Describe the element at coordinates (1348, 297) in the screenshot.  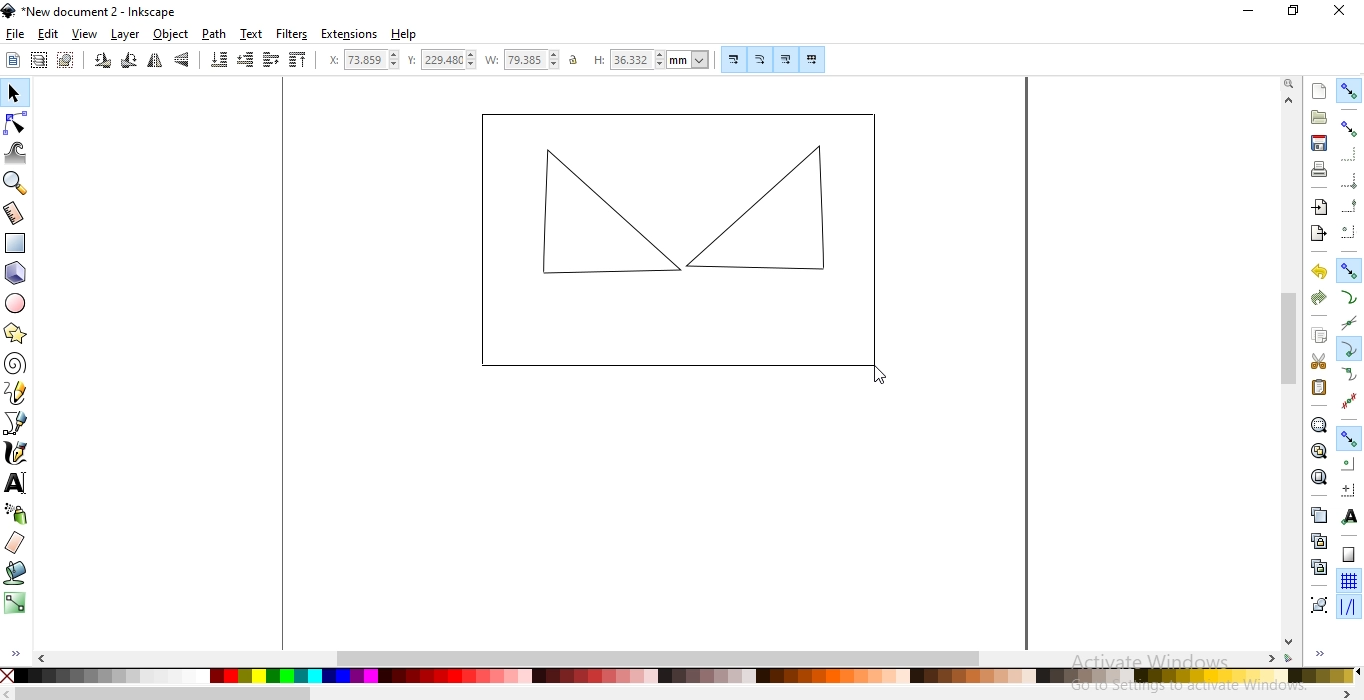
I see `snap to paths` at that location.